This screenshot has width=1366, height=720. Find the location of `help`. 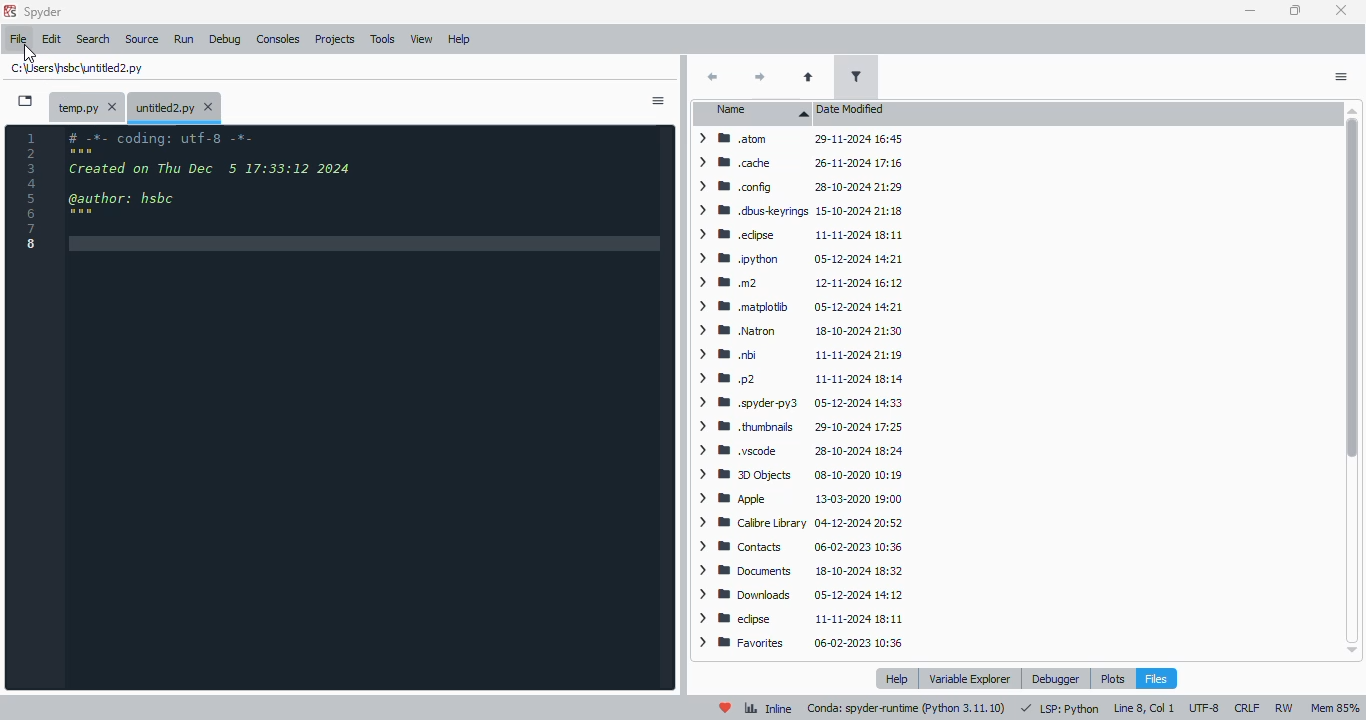

help is located at coordinates (899, 679).